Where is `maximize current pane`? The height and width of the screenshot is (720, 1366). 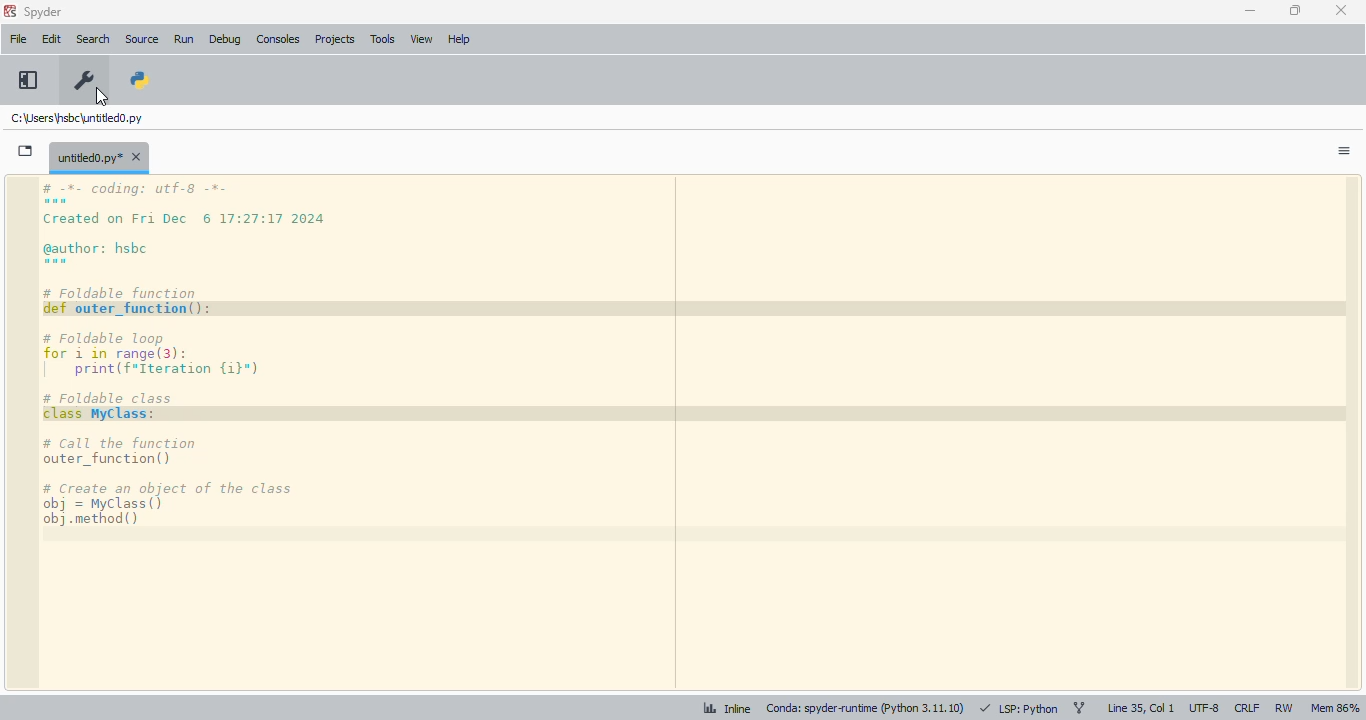 maximize current pane is located at coordinates (27, 79).